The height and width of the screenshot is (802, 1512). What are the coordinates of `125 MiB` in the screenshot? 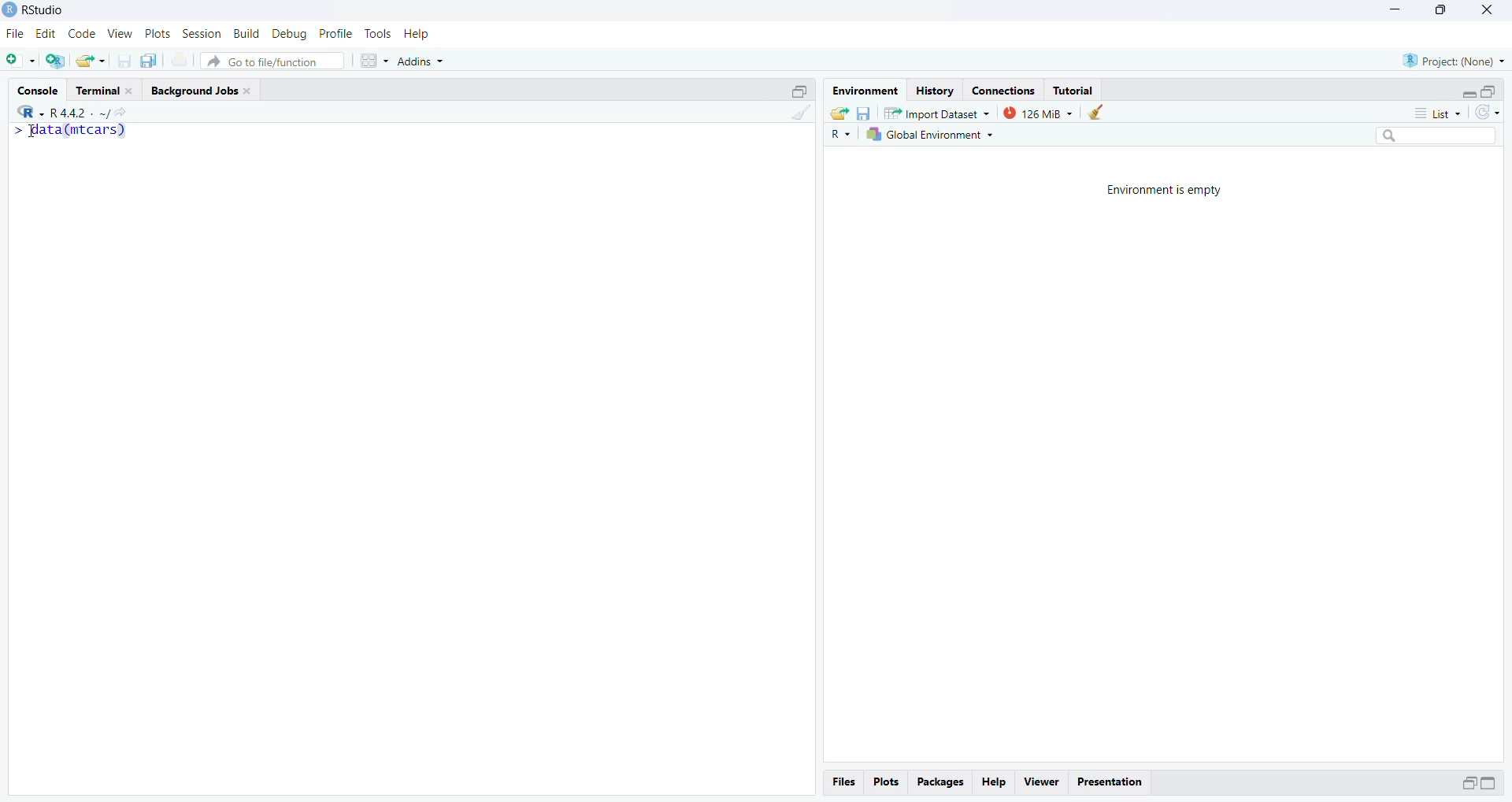 It's located at (1036, 113).